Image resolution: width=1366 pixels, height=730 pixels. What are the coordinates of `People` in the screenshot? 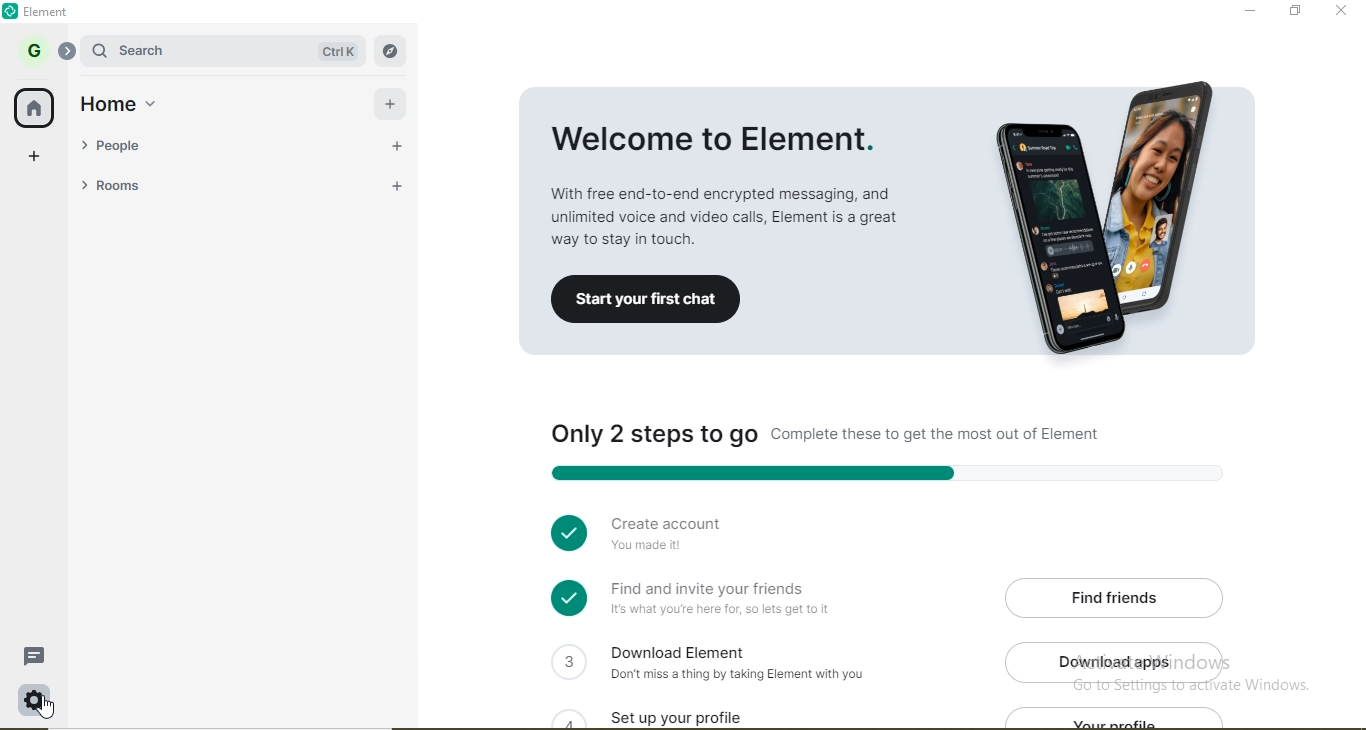 It's located at (164, 144).